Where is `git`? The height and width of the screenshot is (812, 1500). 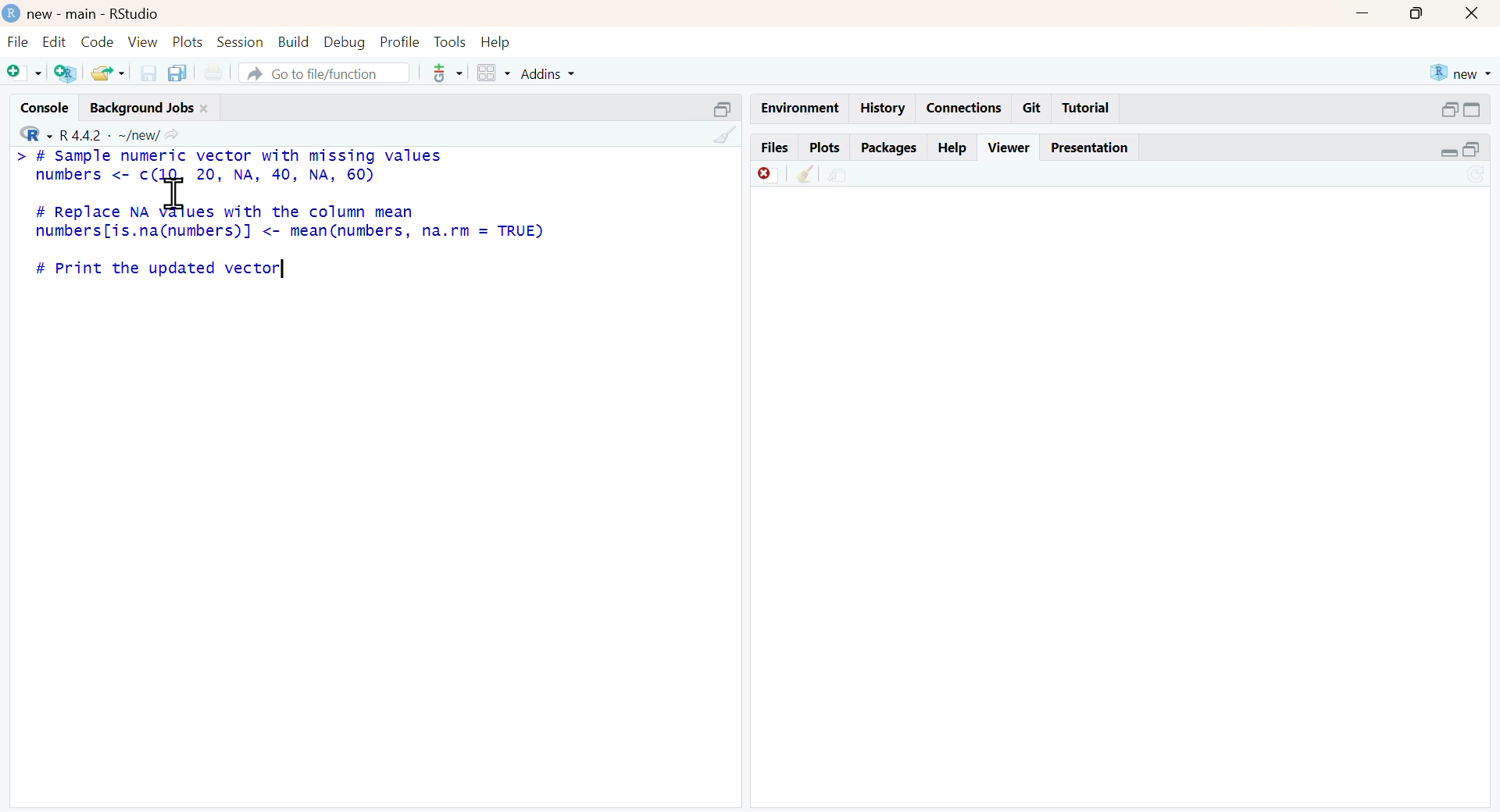
git is located at coordinates (1034, 109).